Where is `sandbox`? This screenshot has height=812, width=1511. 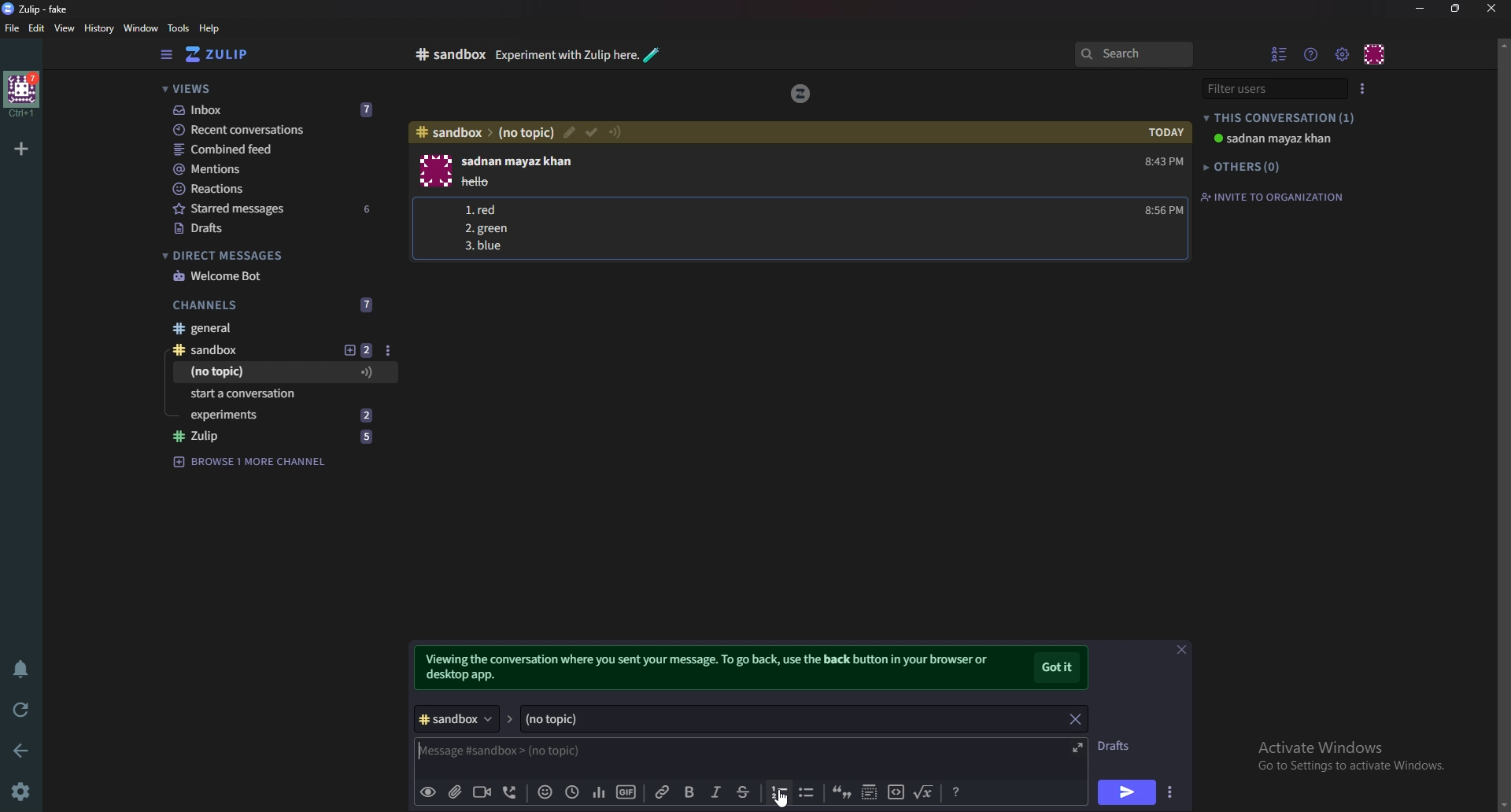
sandbox is located at coordinates (239, 349).